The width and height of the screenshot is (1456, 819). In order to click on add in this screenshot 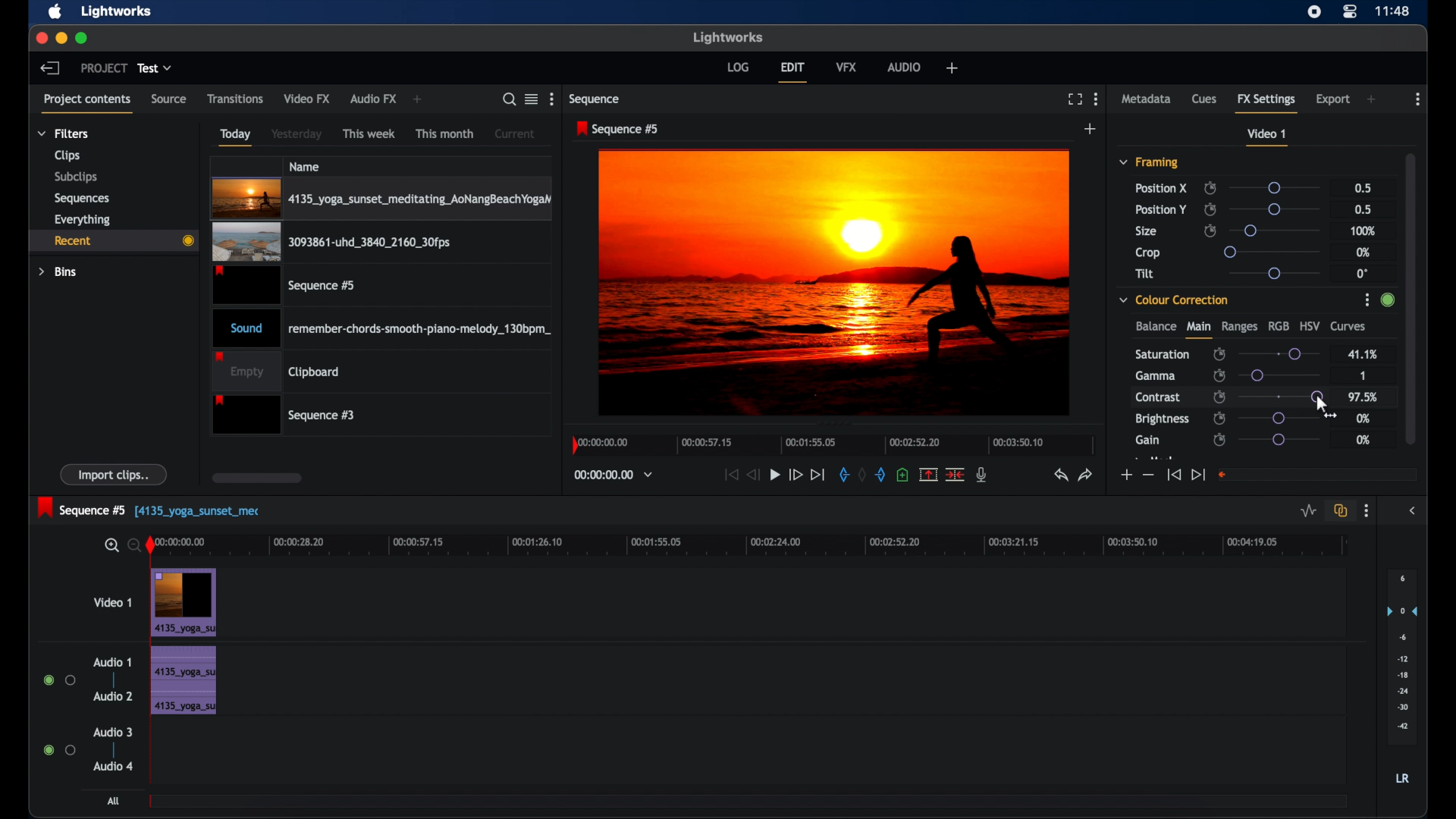, I will do `click(419, 100)`.